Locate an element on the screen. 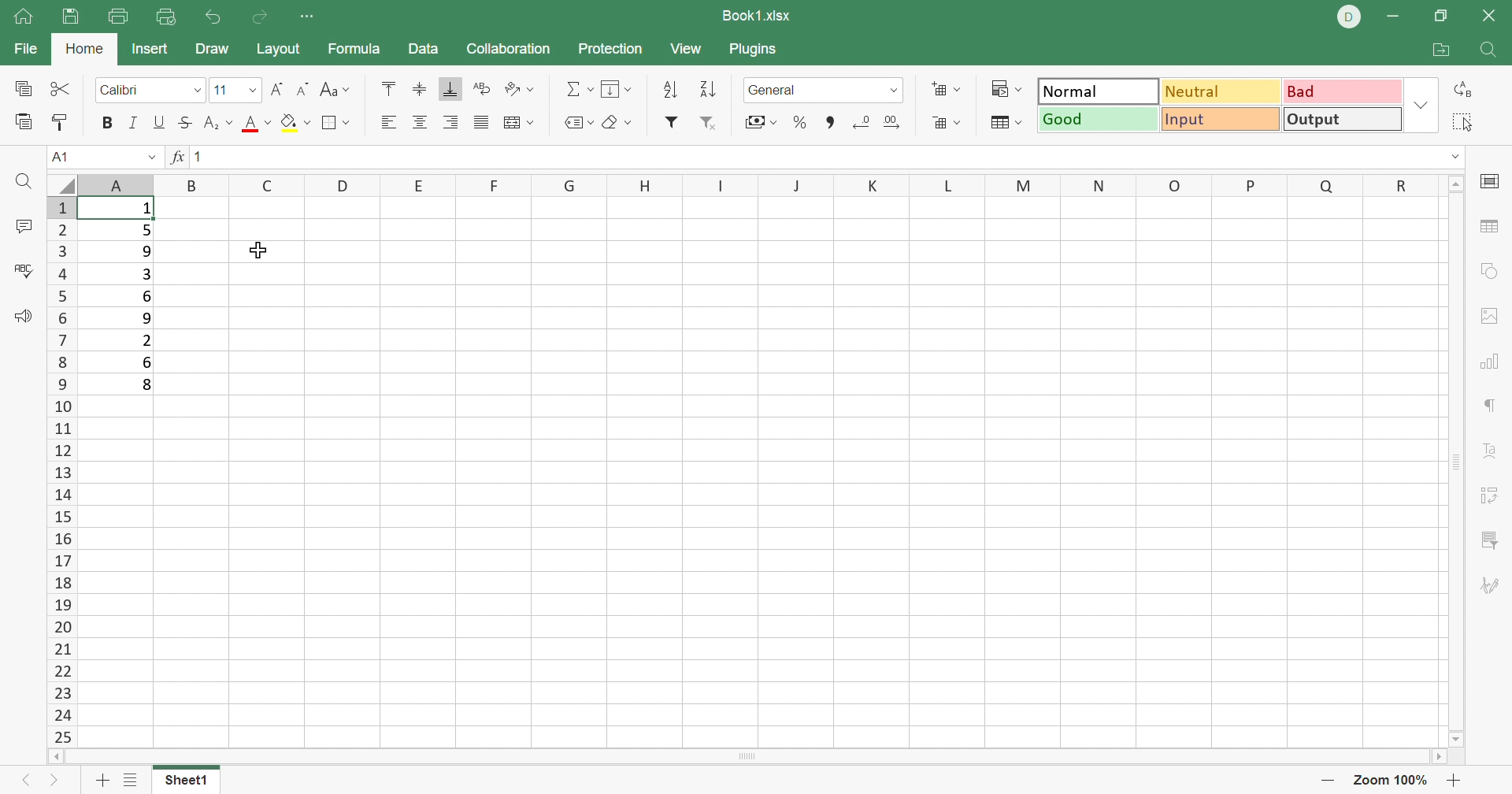 The width and height of the screenshot is (1512, 794). Italic is located at coordinates (138, 121).